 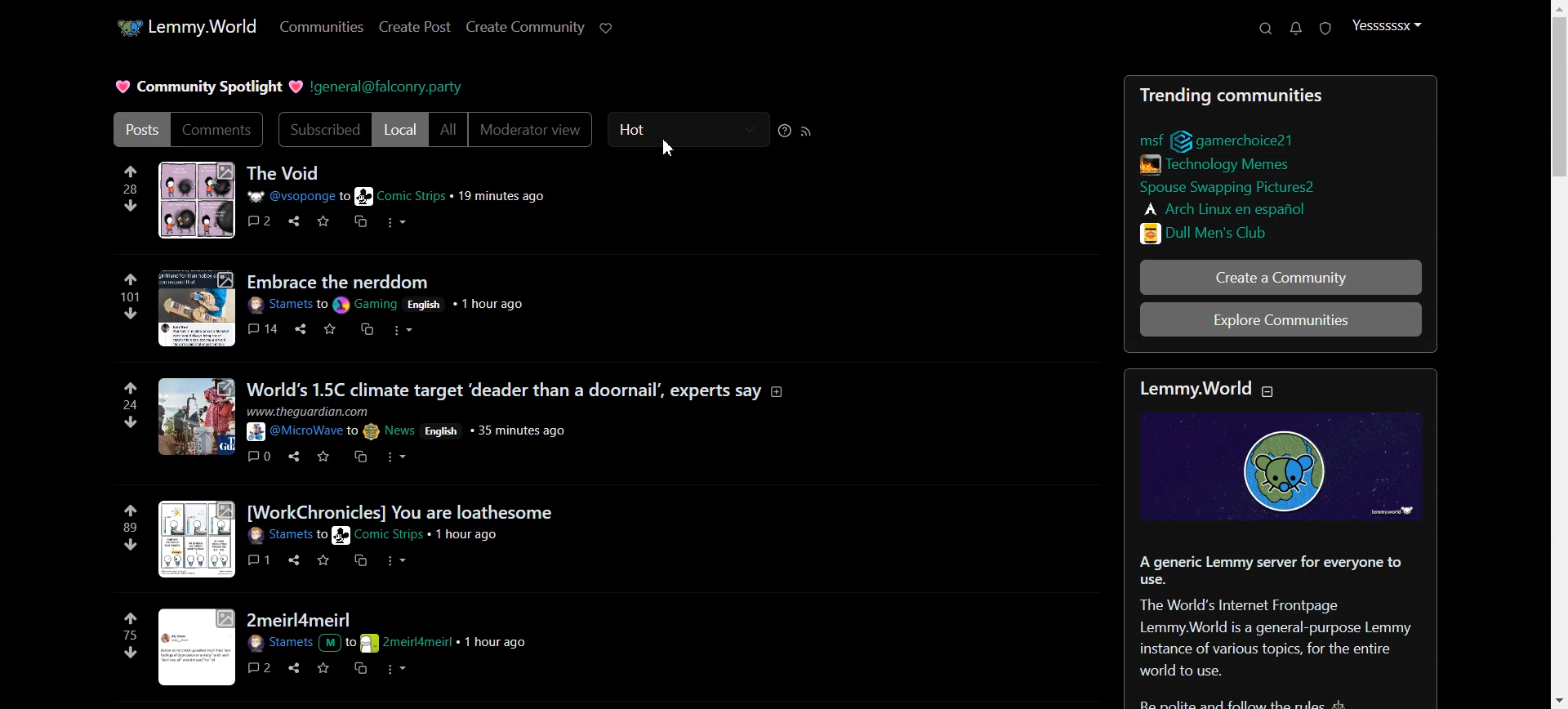 I want to click on Scroll bar, so click(x=1553, y=354).